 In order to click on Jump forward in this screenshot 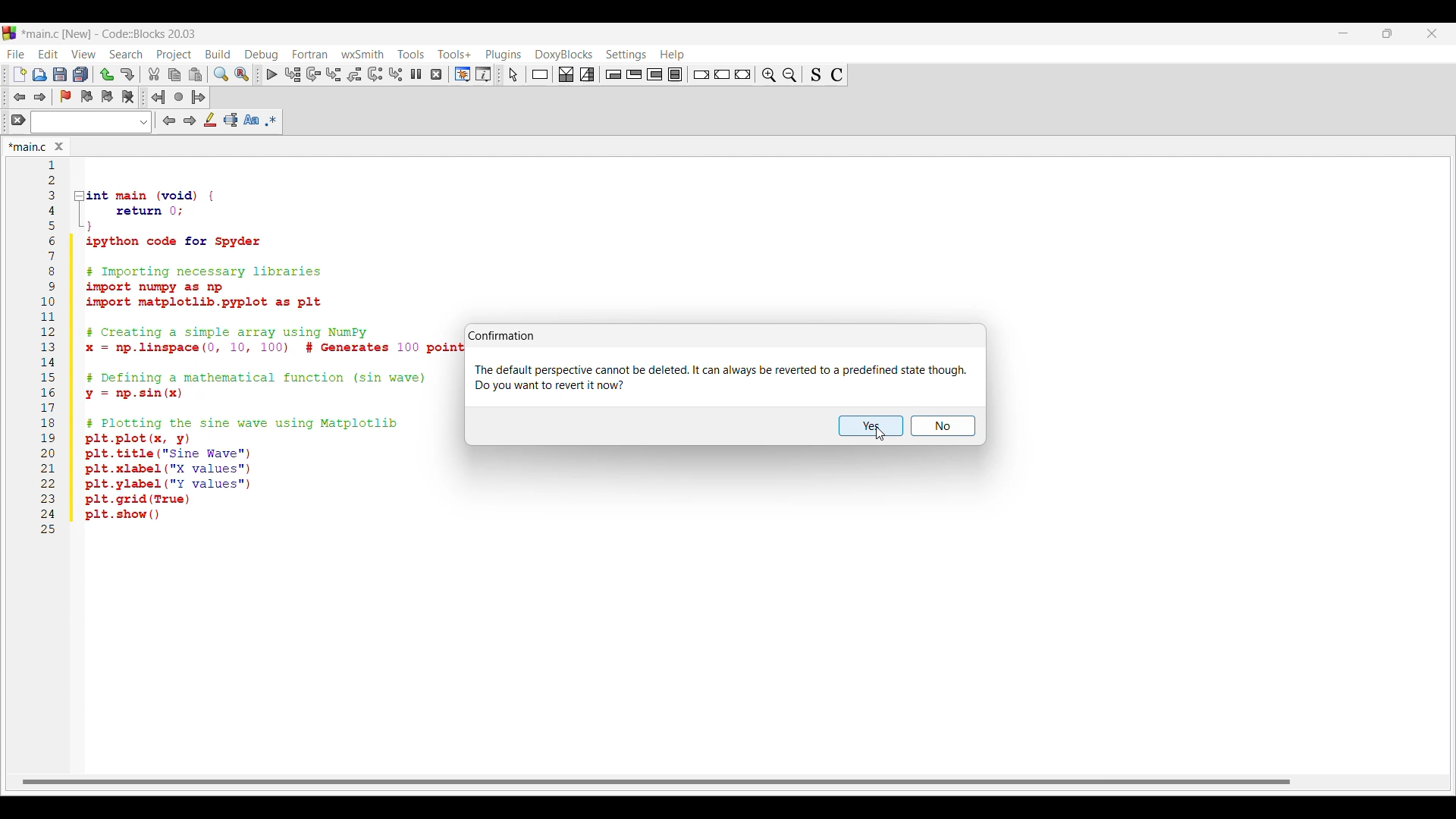, I will do `click(199, 97)`.